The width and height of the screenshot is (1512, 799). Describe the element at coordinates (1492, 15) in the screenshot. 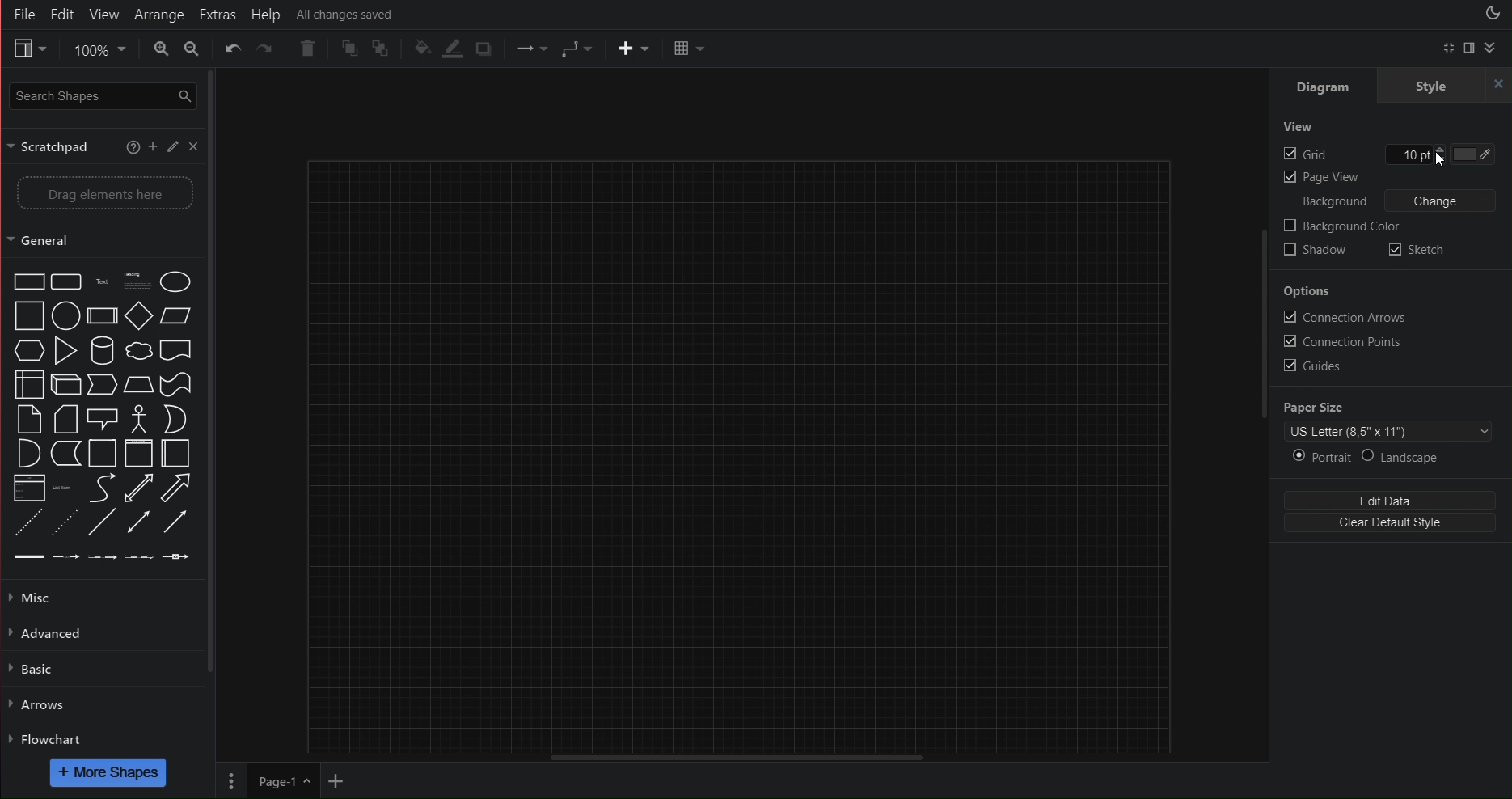

I see `Appearance` at that location.